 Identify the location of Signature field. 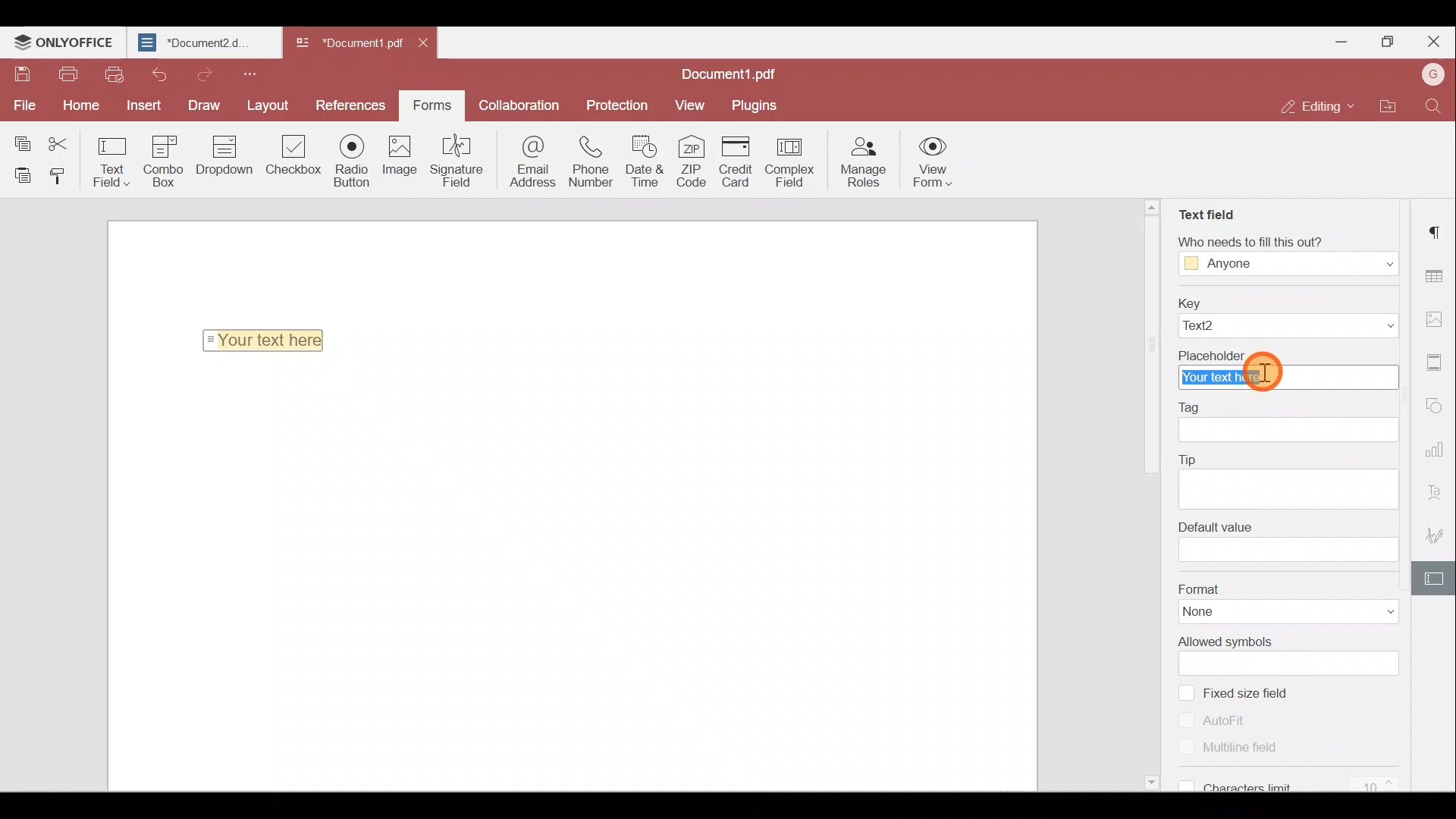
(460, 162).